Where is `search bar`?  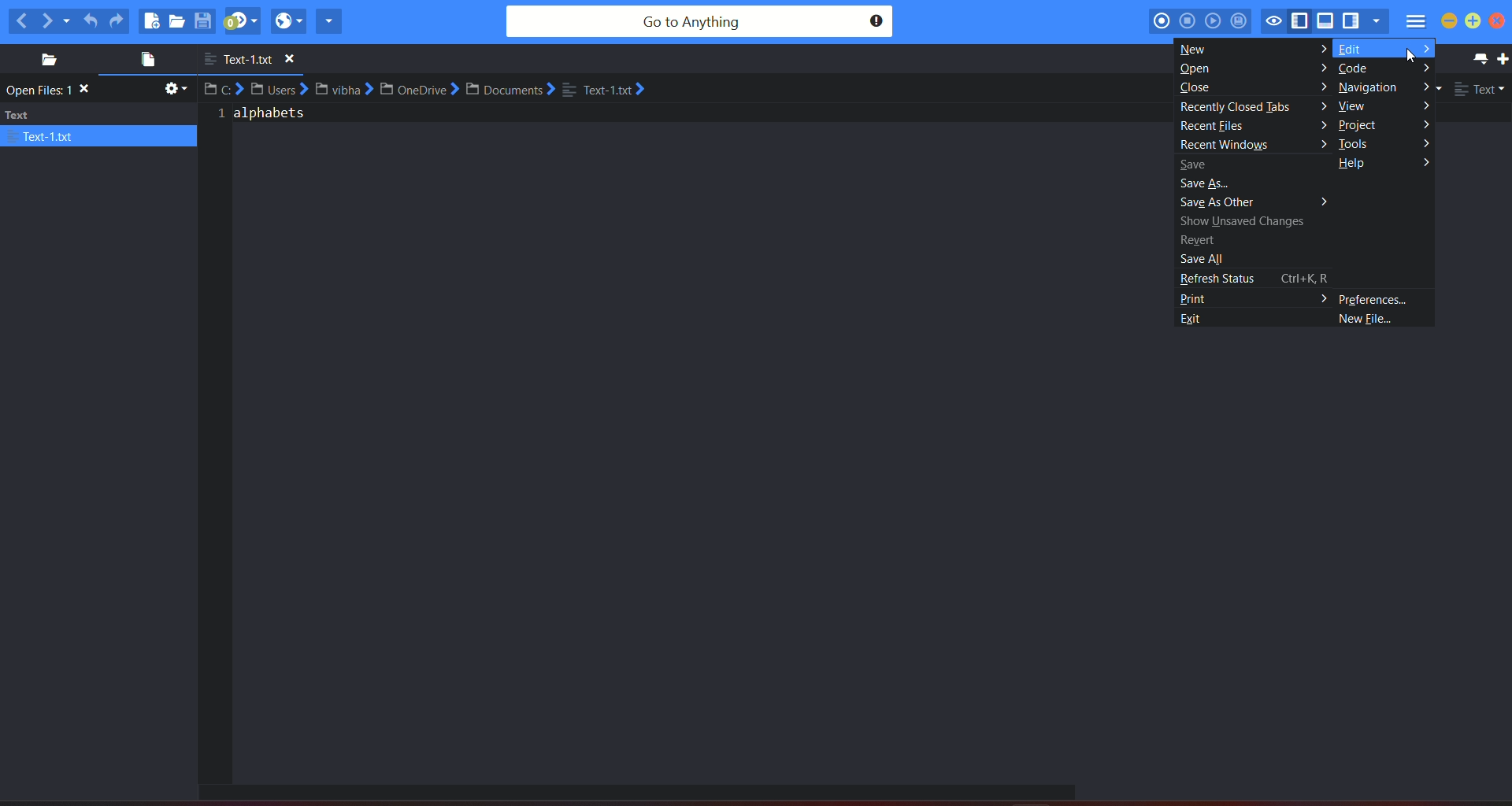 search bar is located at coordinates (699, 22).